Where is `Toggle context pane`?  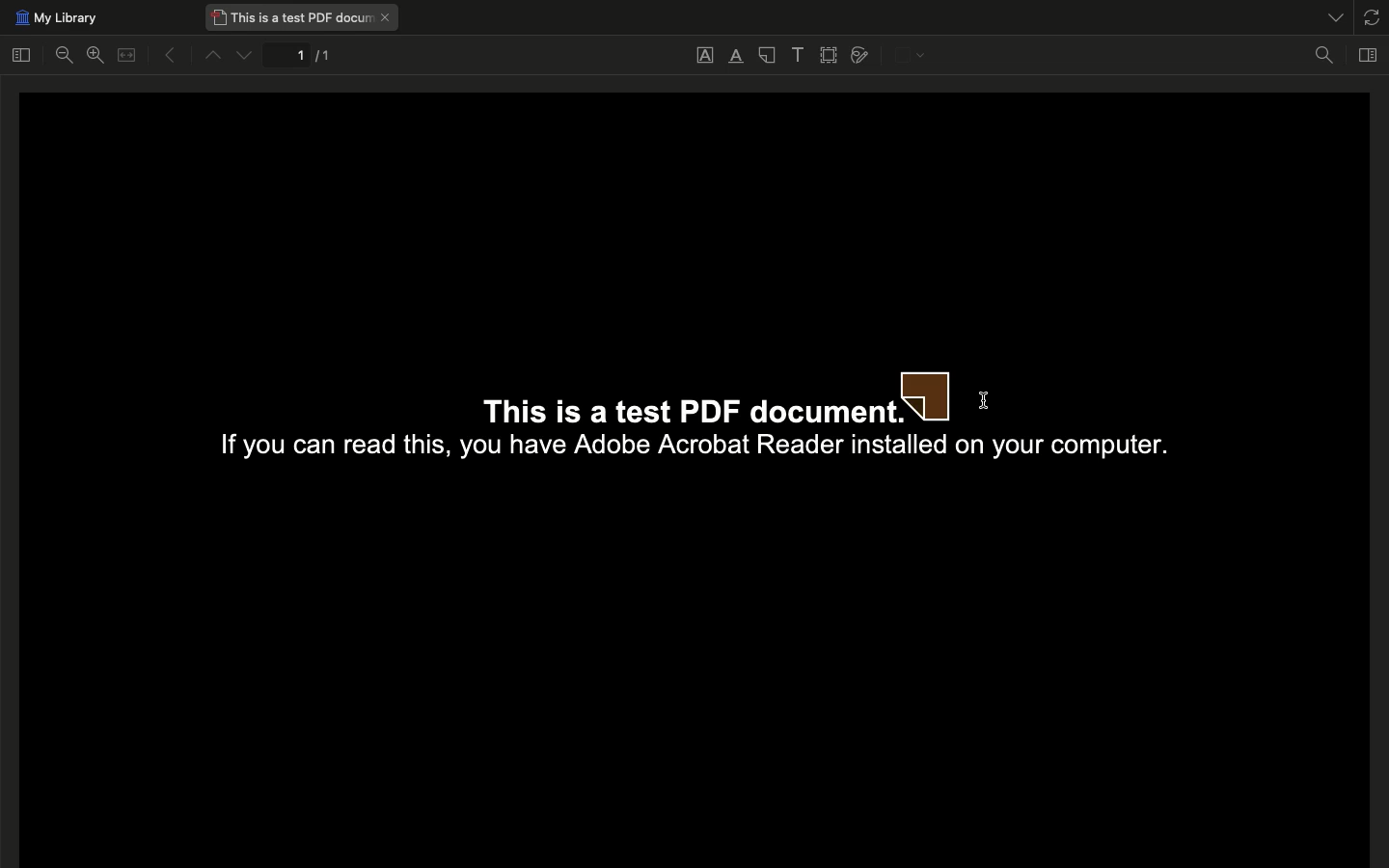
Toggle context pane is located at coordinates (1370, 53).